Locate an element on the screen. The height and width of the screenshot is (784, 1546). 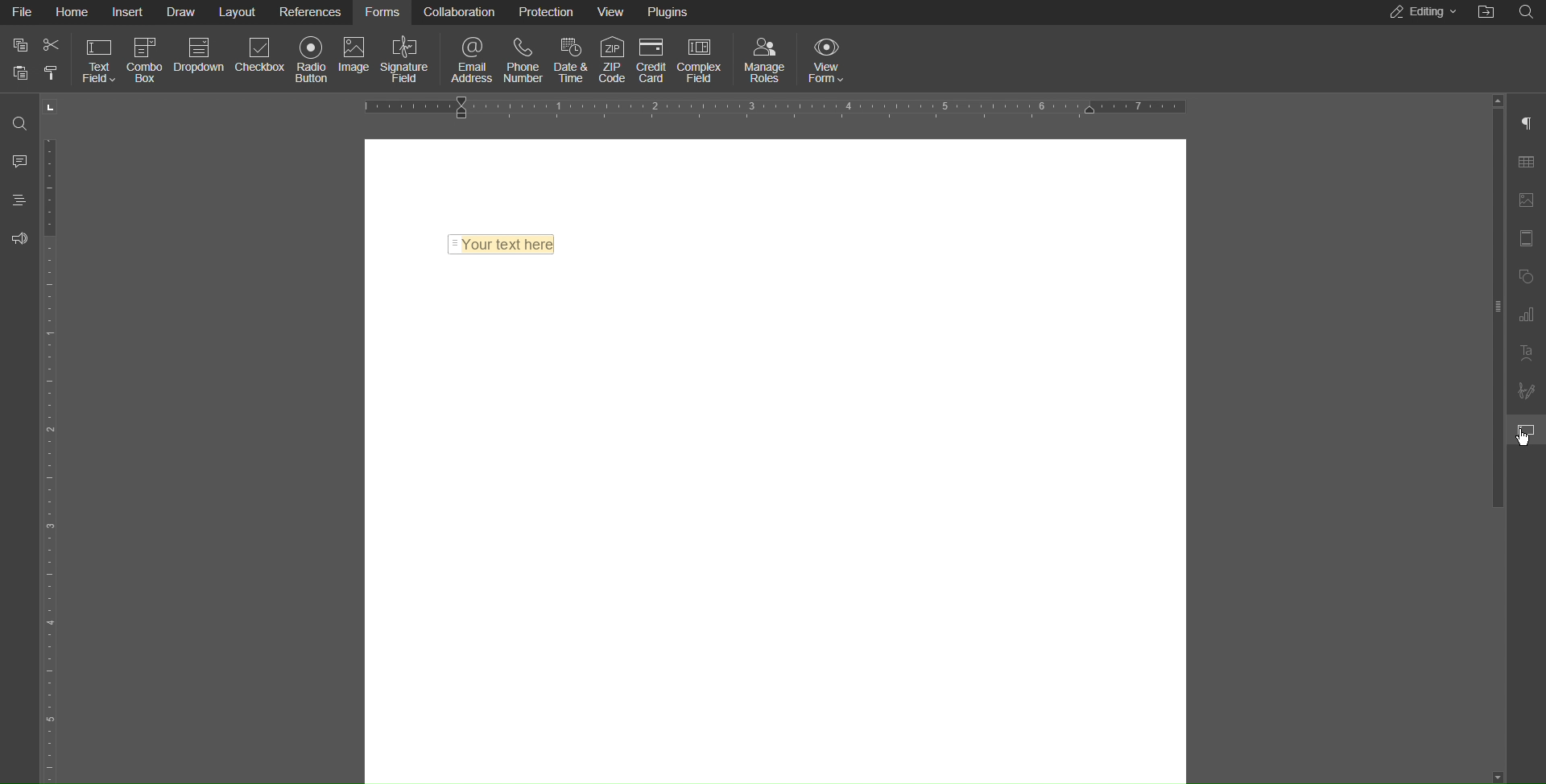
Shape Settings is located at coordinates (1530, 275).